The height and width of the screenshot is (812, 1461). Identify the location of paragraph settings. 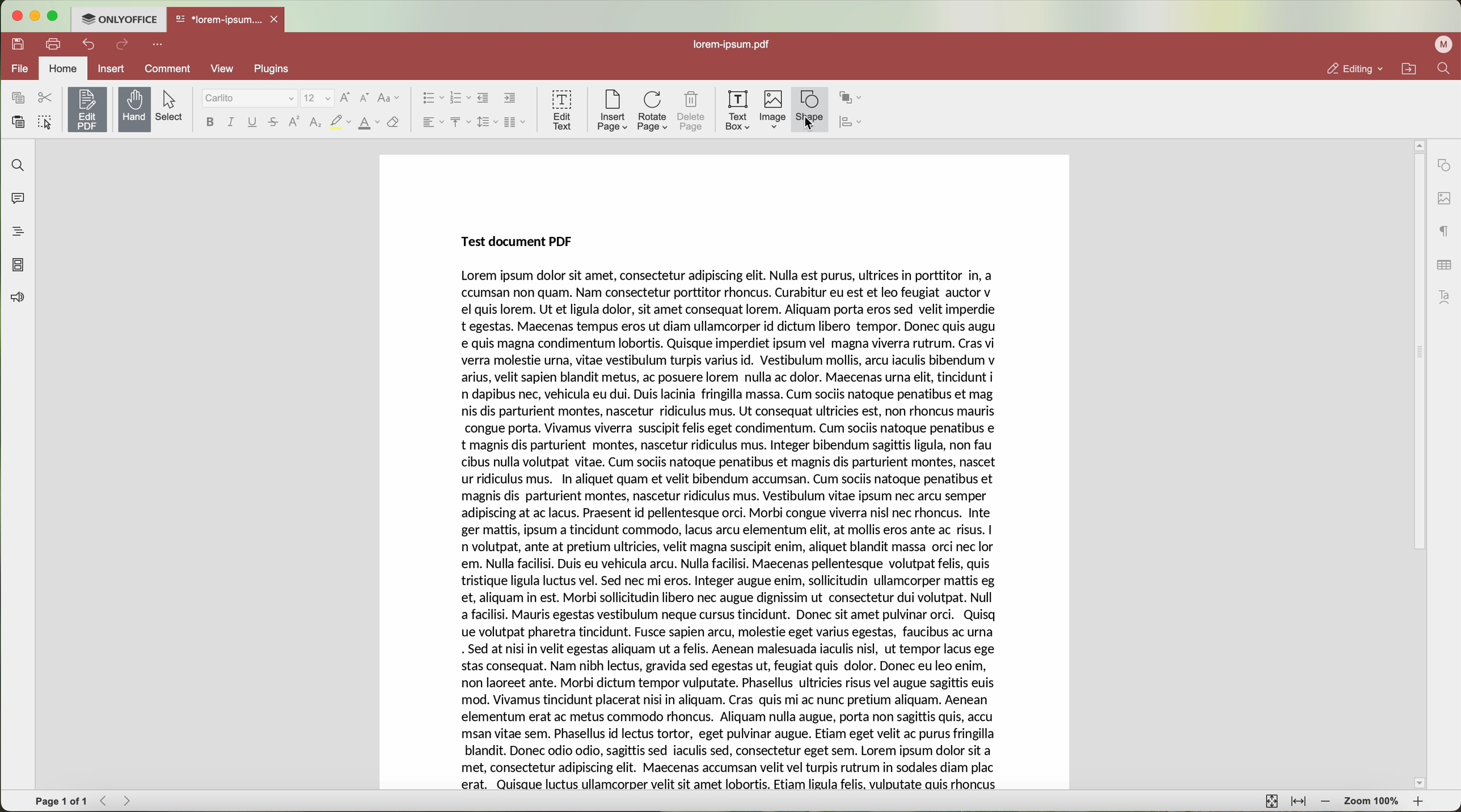
(1441, 232).